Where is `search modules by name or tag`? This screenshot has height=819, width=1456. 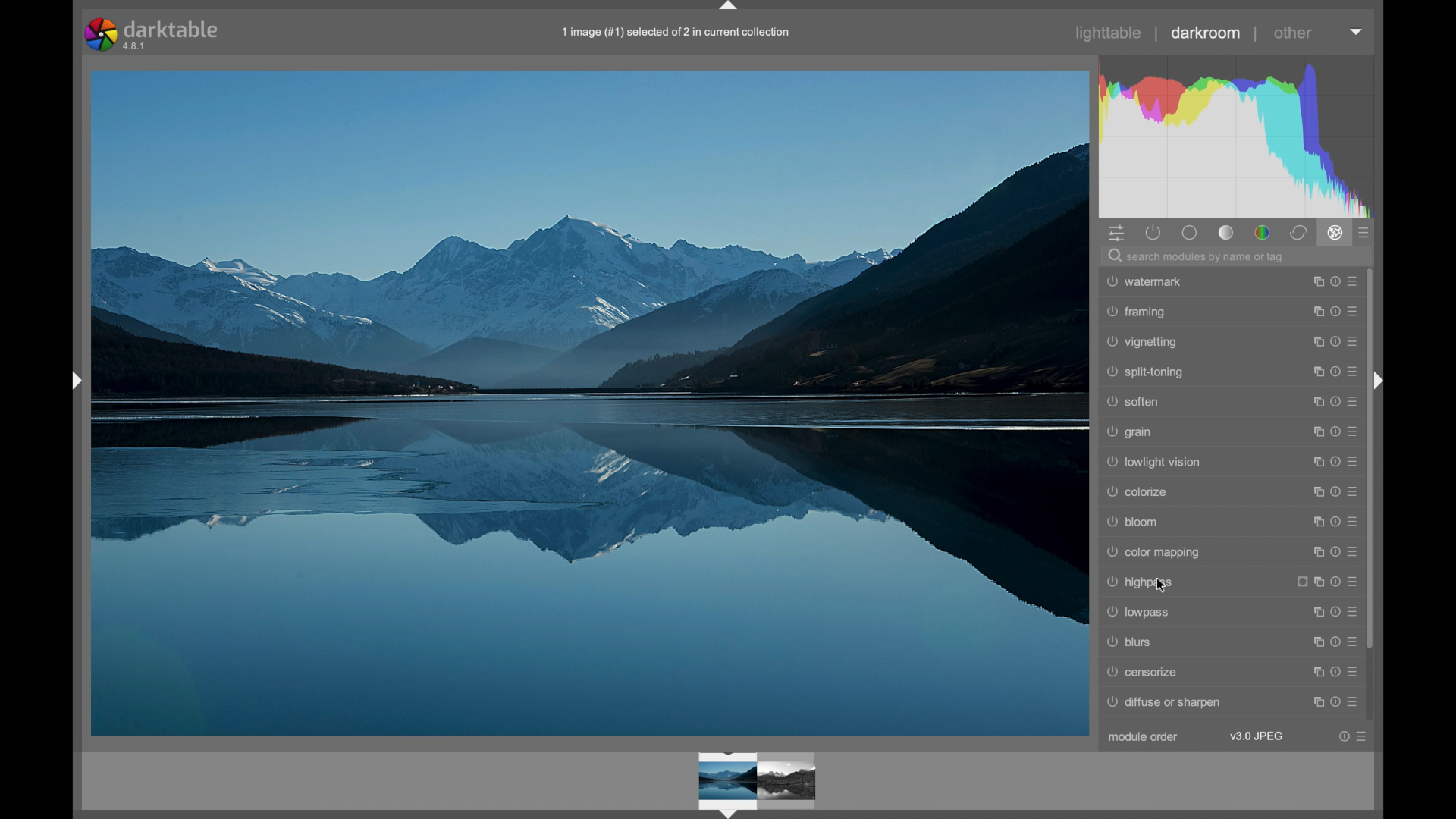 search modules by name or tag is located at coordinates (1196, 258).